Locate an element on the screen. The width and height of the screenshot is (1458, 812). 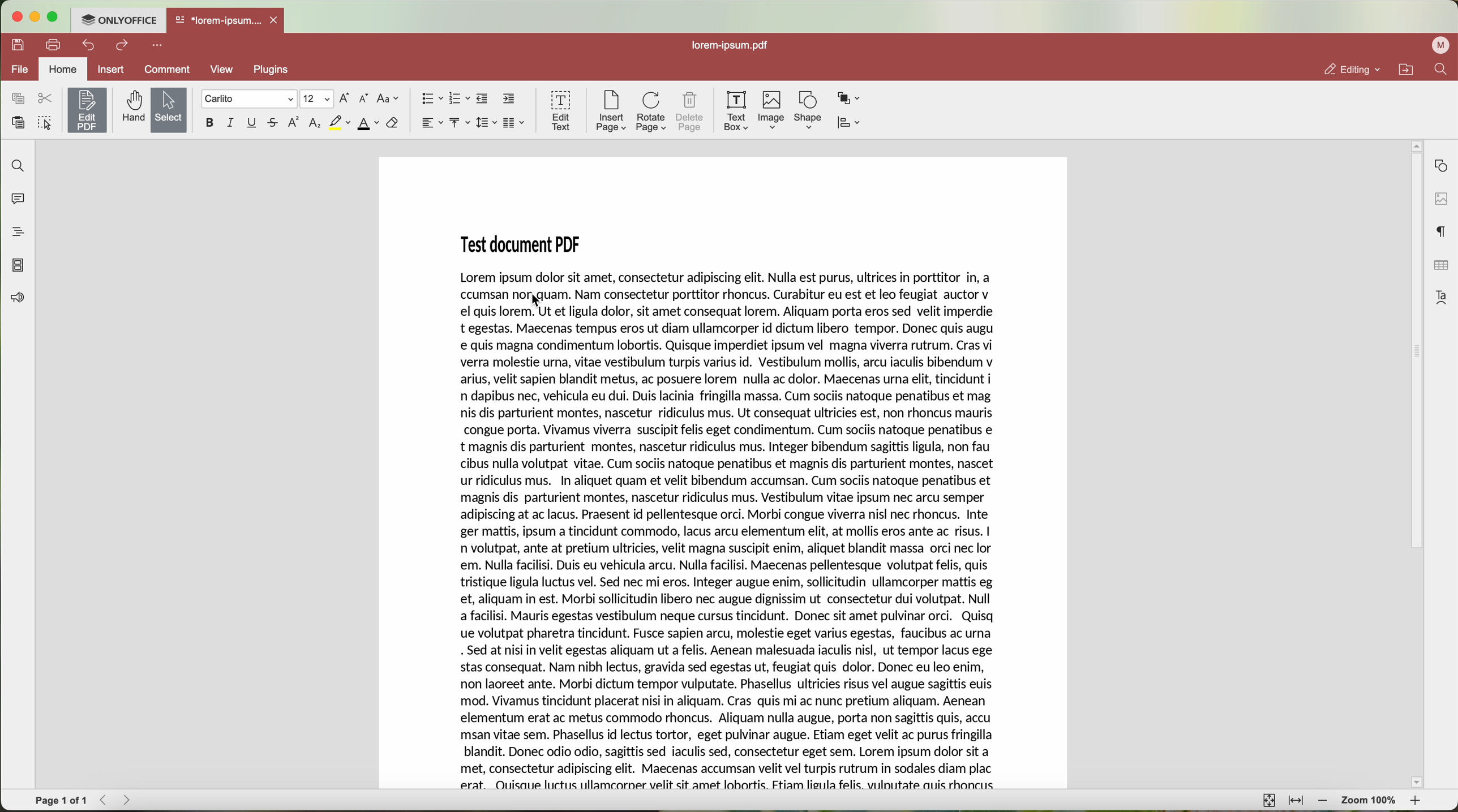
table settings is located at coordinates (1442, 268).